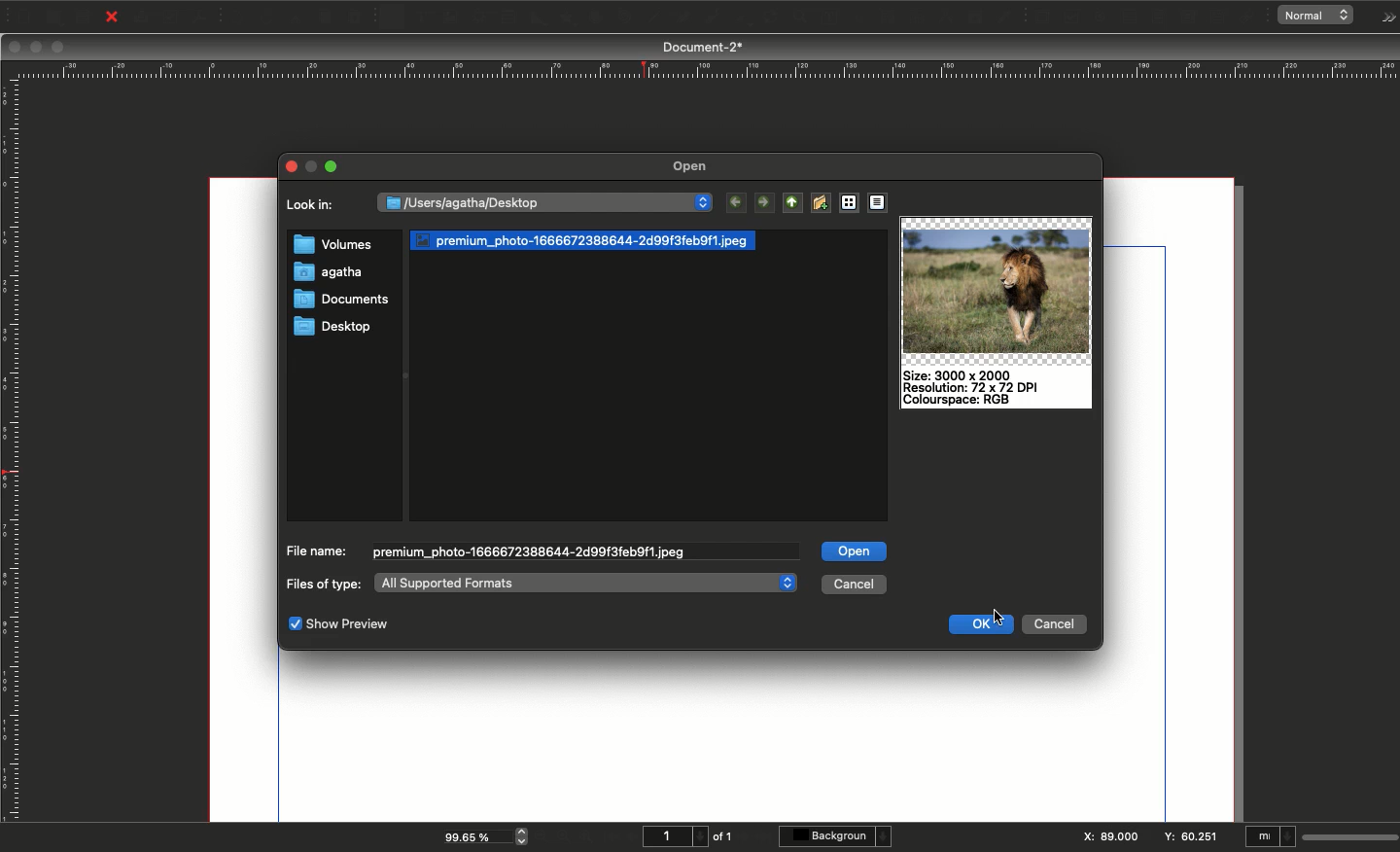 Image resolution: width=1400 pixels, height=852 pixels. What do you see at coordinates (15, 47) in the screenshot?
I see `Close` at bounding box center [15, 47].